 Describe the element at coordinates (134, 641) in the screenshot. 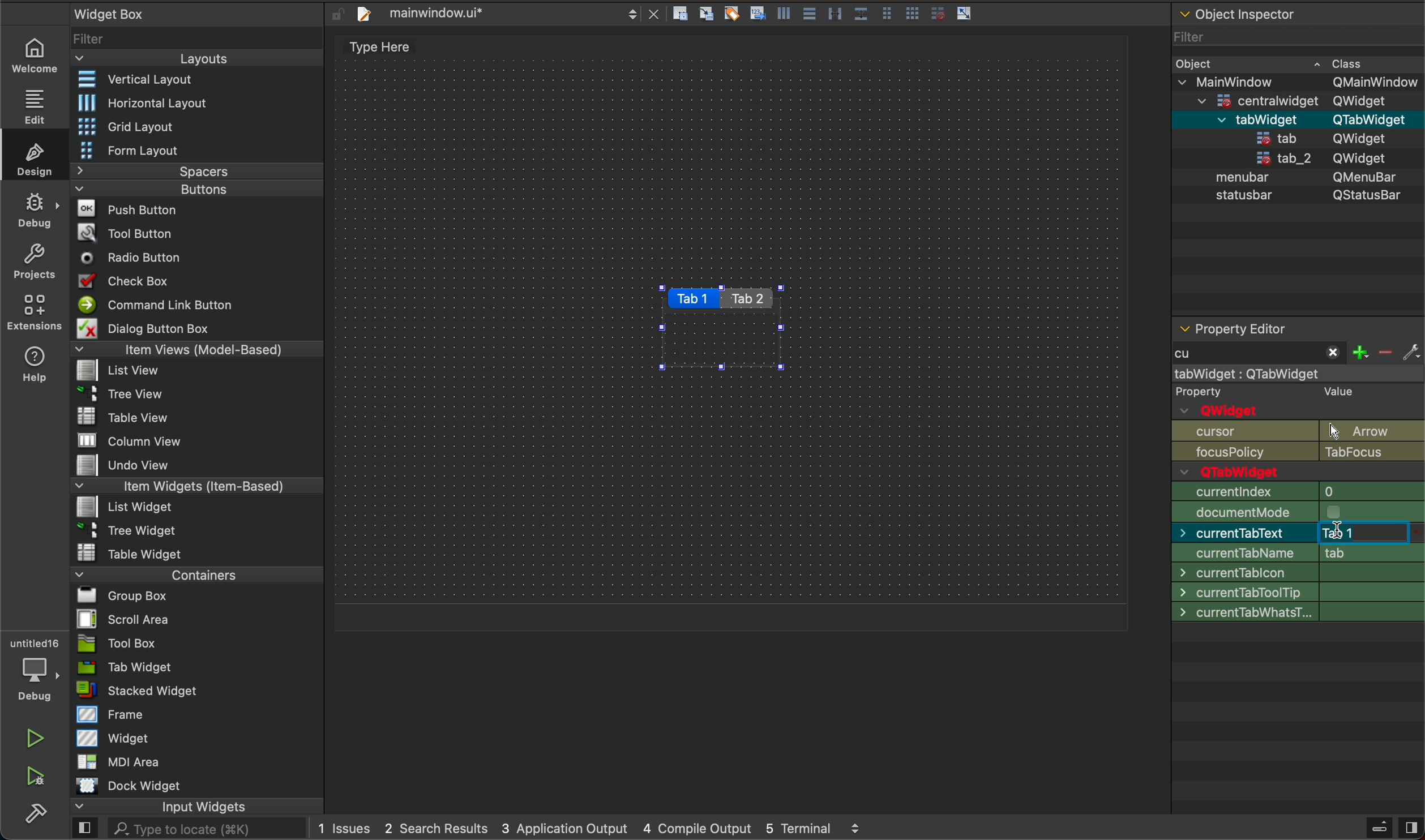

I see `Tool Box` at that location.